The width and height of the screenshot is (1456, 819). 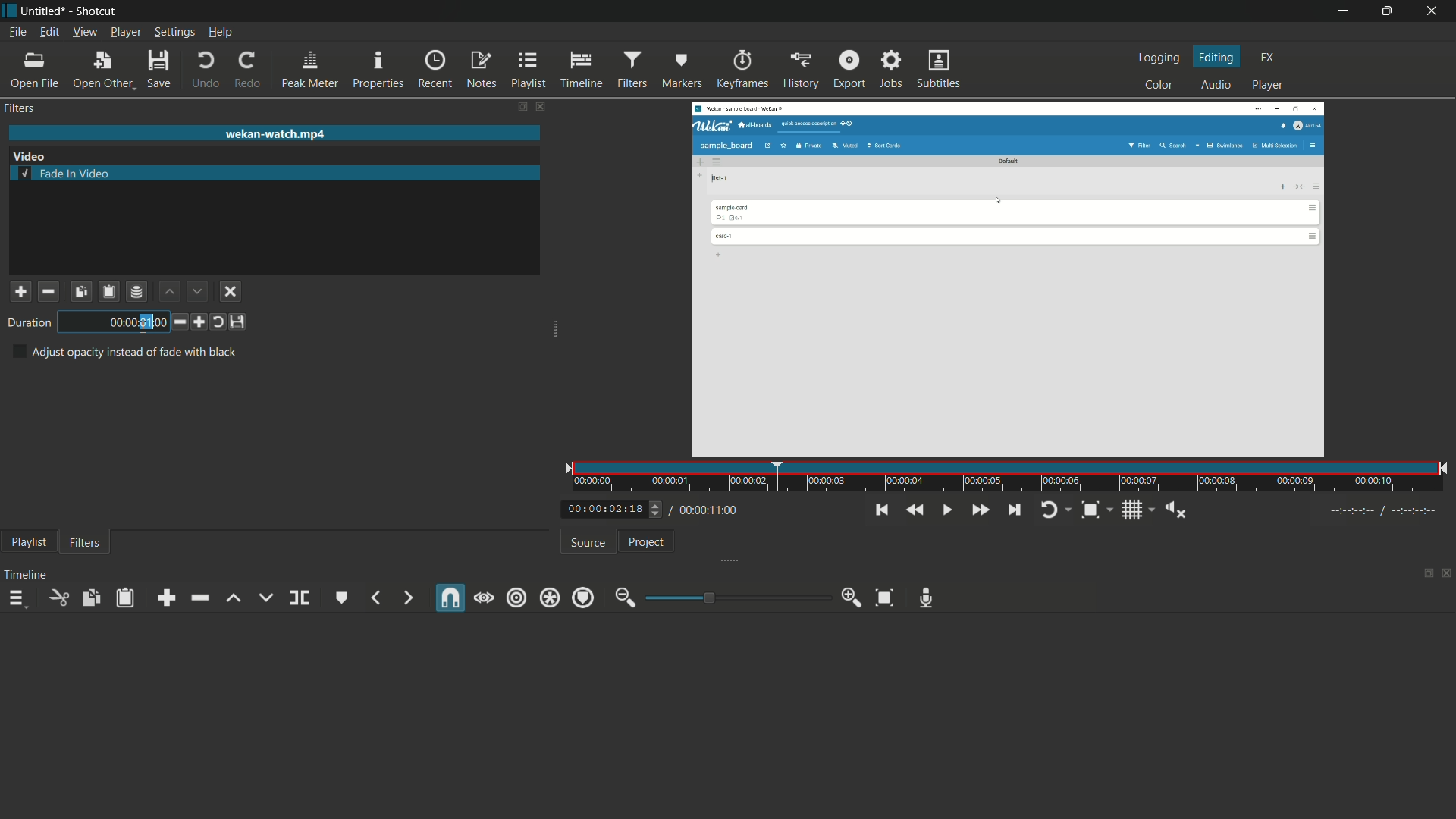 What do you see at coordinates (115, 322) in the screenshot?
I see `time` at bounding box center [115, 322].